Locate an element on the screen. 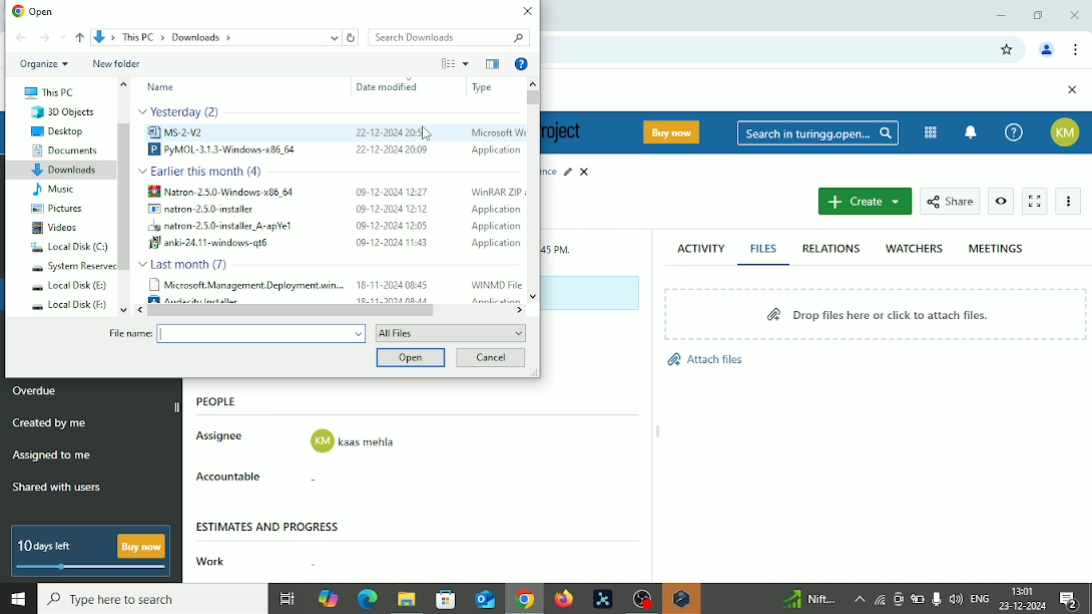  09-12-2024 12:27 is located at coordinates (390, 191).